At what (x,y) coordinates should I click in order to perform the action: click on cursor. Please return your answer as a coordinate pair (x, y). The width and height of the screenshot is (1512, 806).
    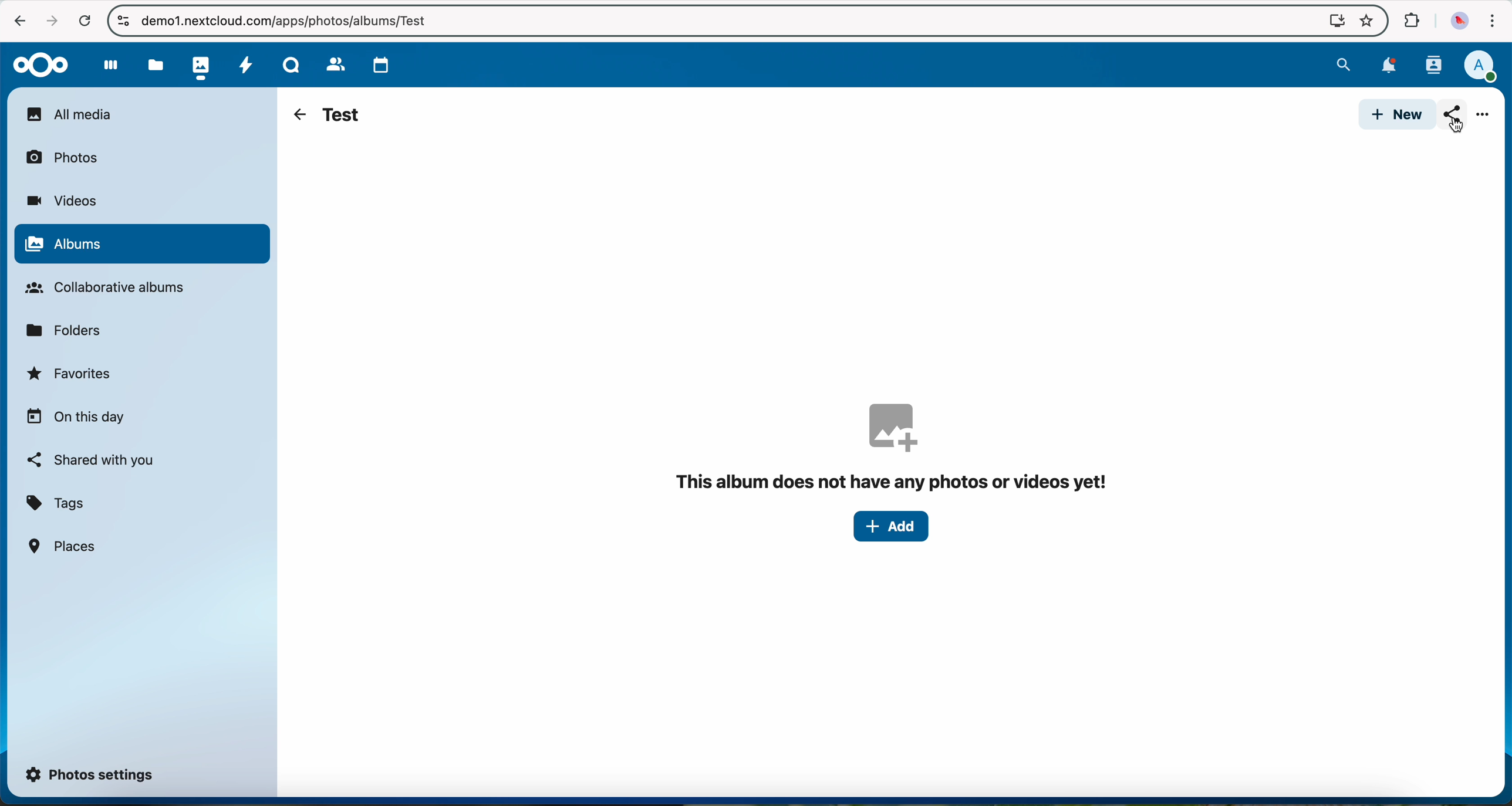
    Looking at the image, I should click on (1455, 126).